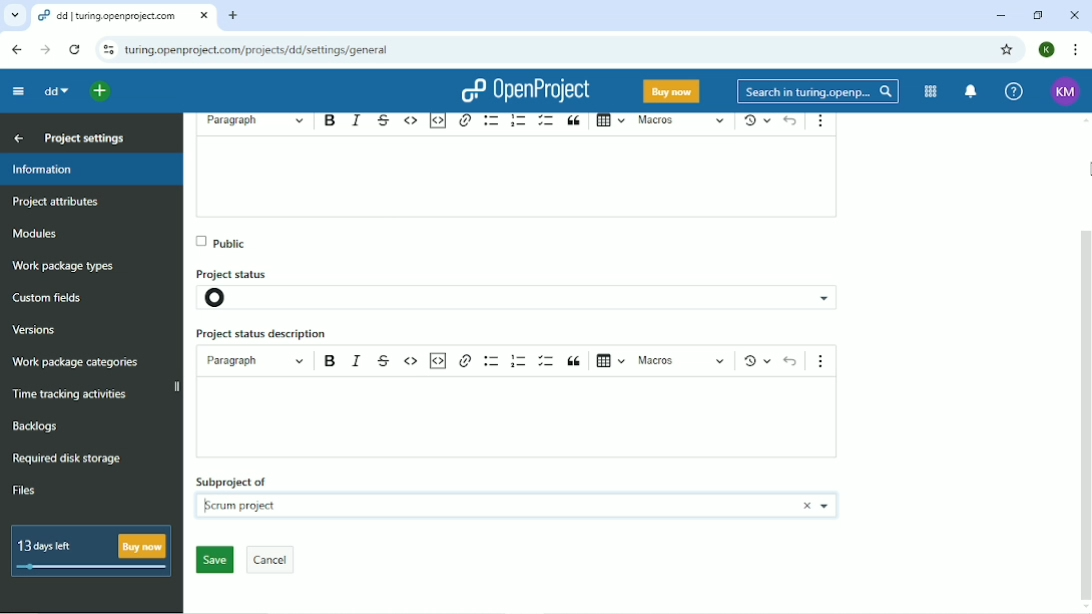 The image size is (1092, 614). What do you see at coordinates (122, 16) in the screenshot?
I see `dd/turing.openproject.com` at bounding box center [122, 16].